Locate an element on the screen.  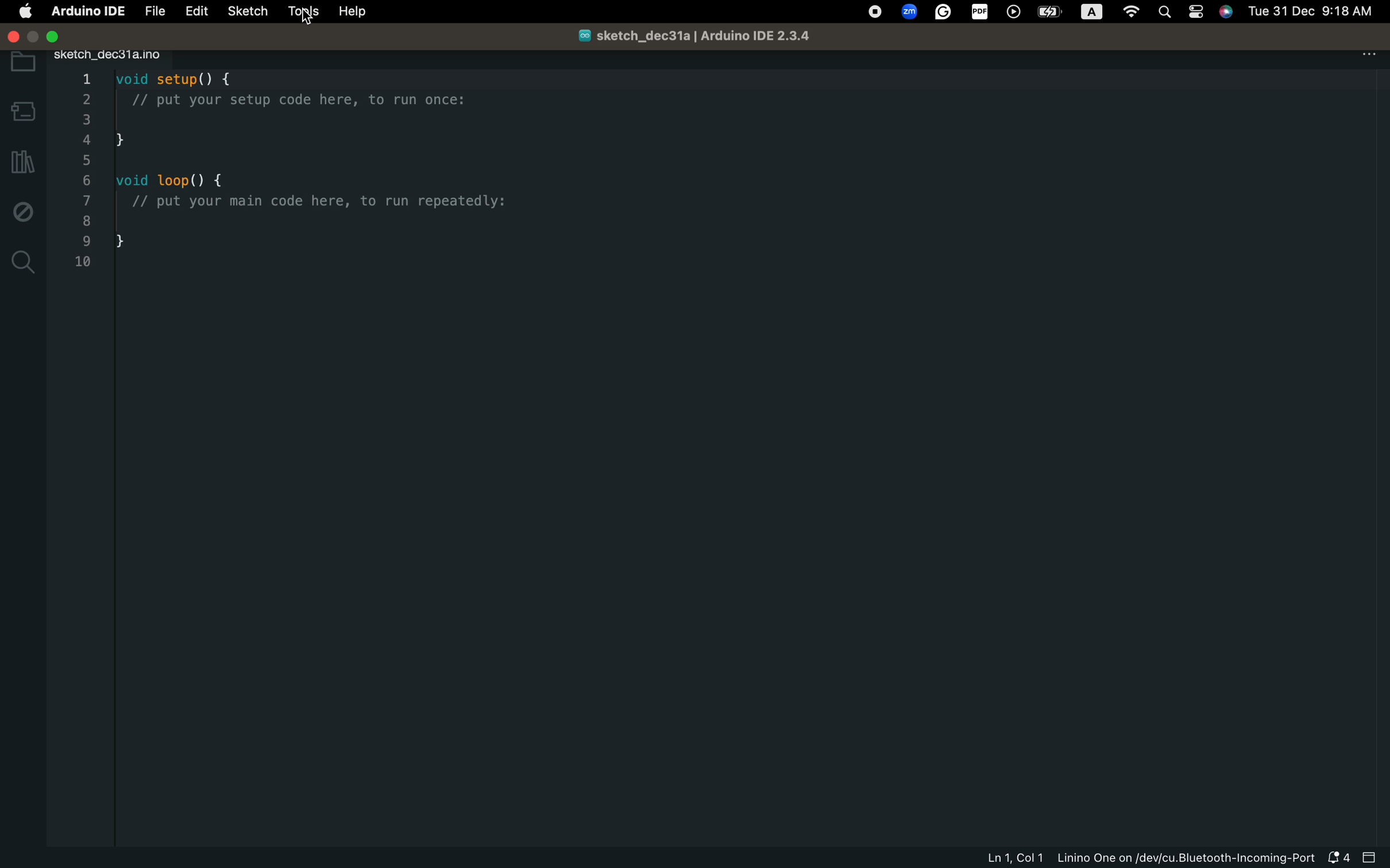
tools is located at coordinates (299, 12).